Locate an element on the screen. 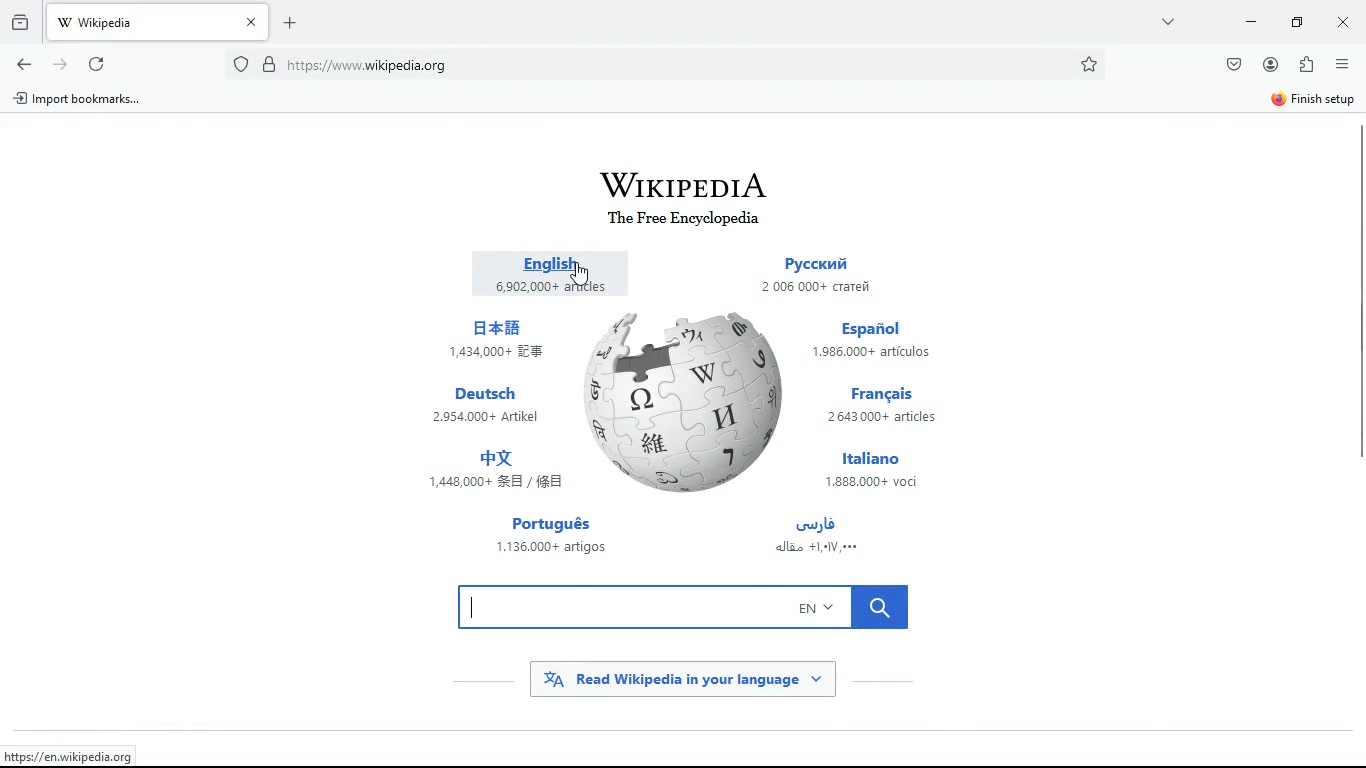 The height and width of the screenshot is (768, 1366). english is located at coordinates (546, 271).